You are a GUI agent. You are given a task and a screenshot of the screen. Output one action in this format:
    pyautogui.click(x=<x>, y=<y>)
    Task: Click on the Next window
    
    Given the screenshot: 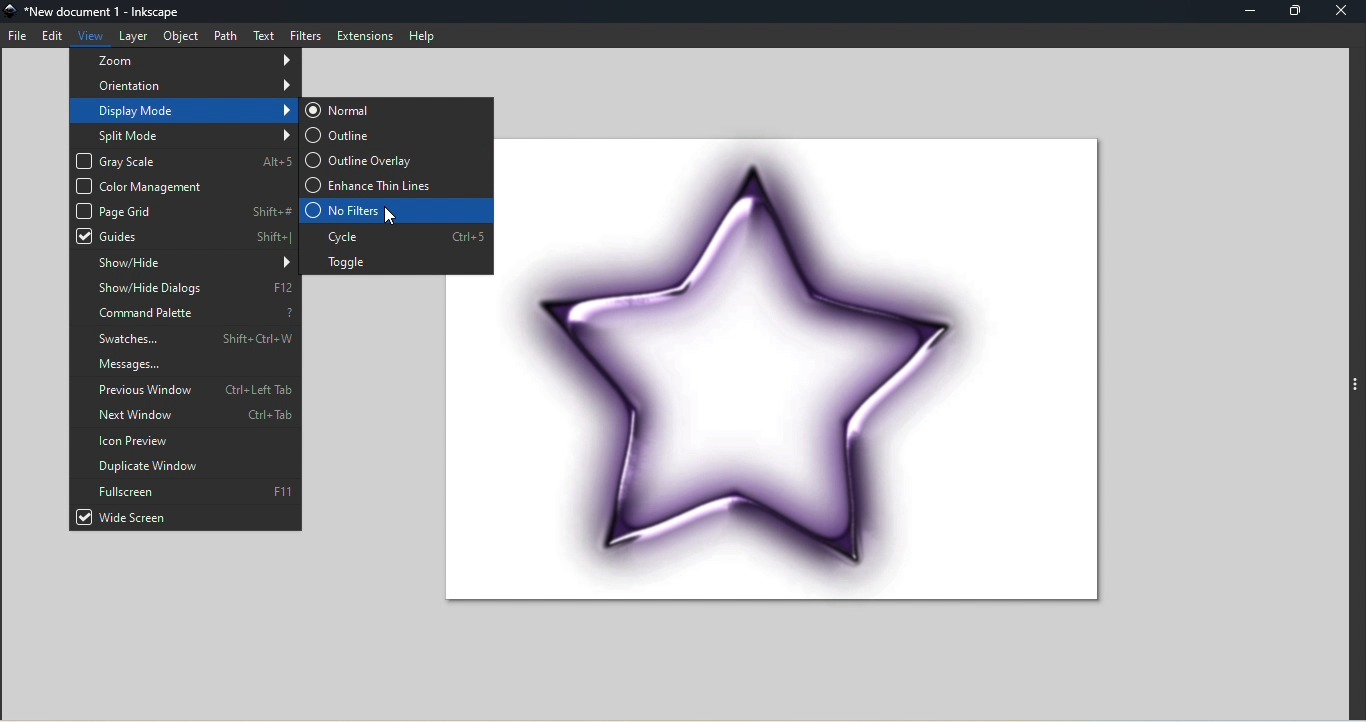 What is the action you would take?
    pyautogui.click(x=187, y=415)
    